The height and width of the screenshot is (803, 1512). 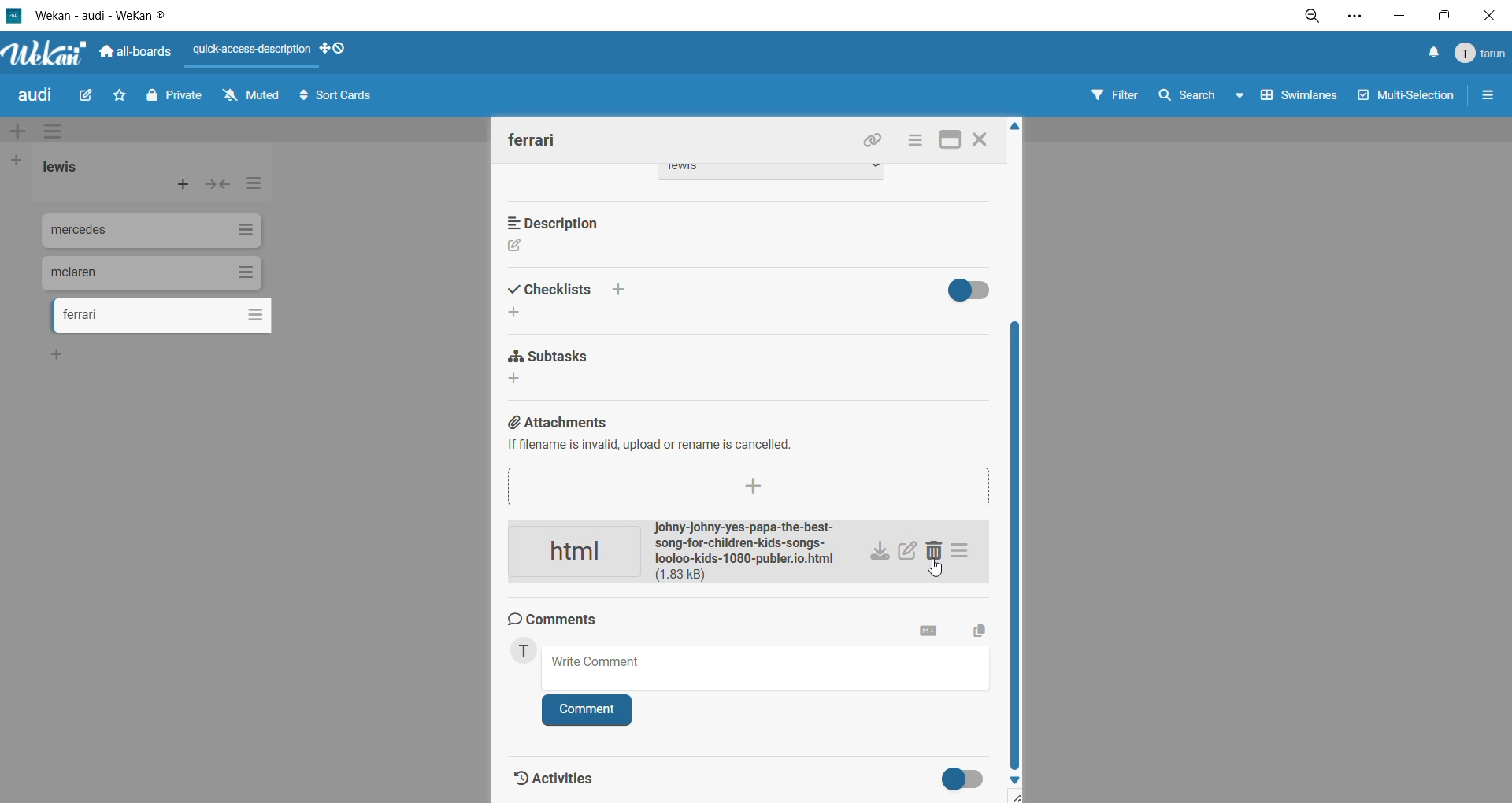 I want to click on attachment actions, so click(x=966, y=553).